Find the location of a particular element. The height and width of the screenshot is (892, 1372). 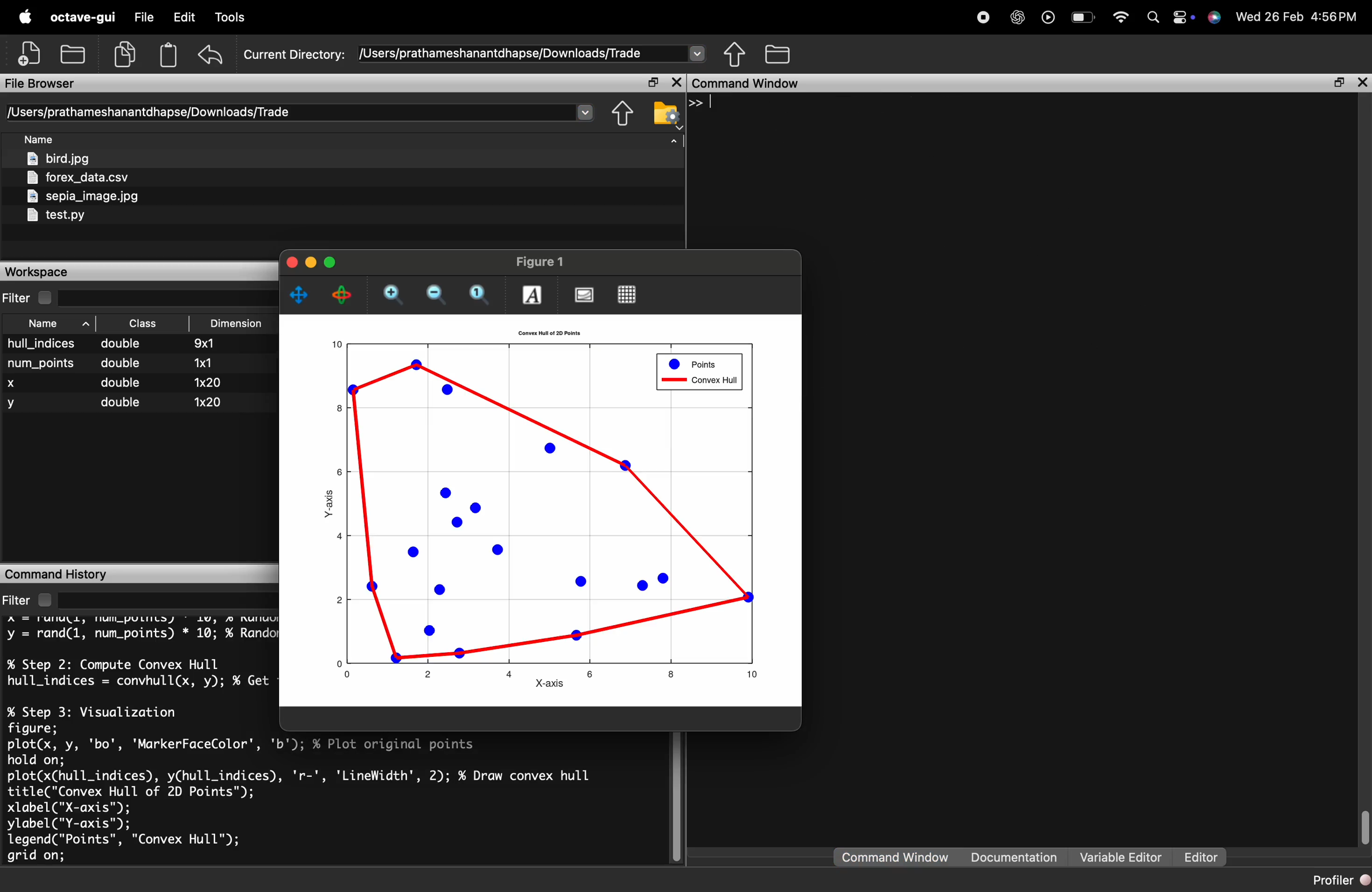

[EE is located at coordinates (142, 323).